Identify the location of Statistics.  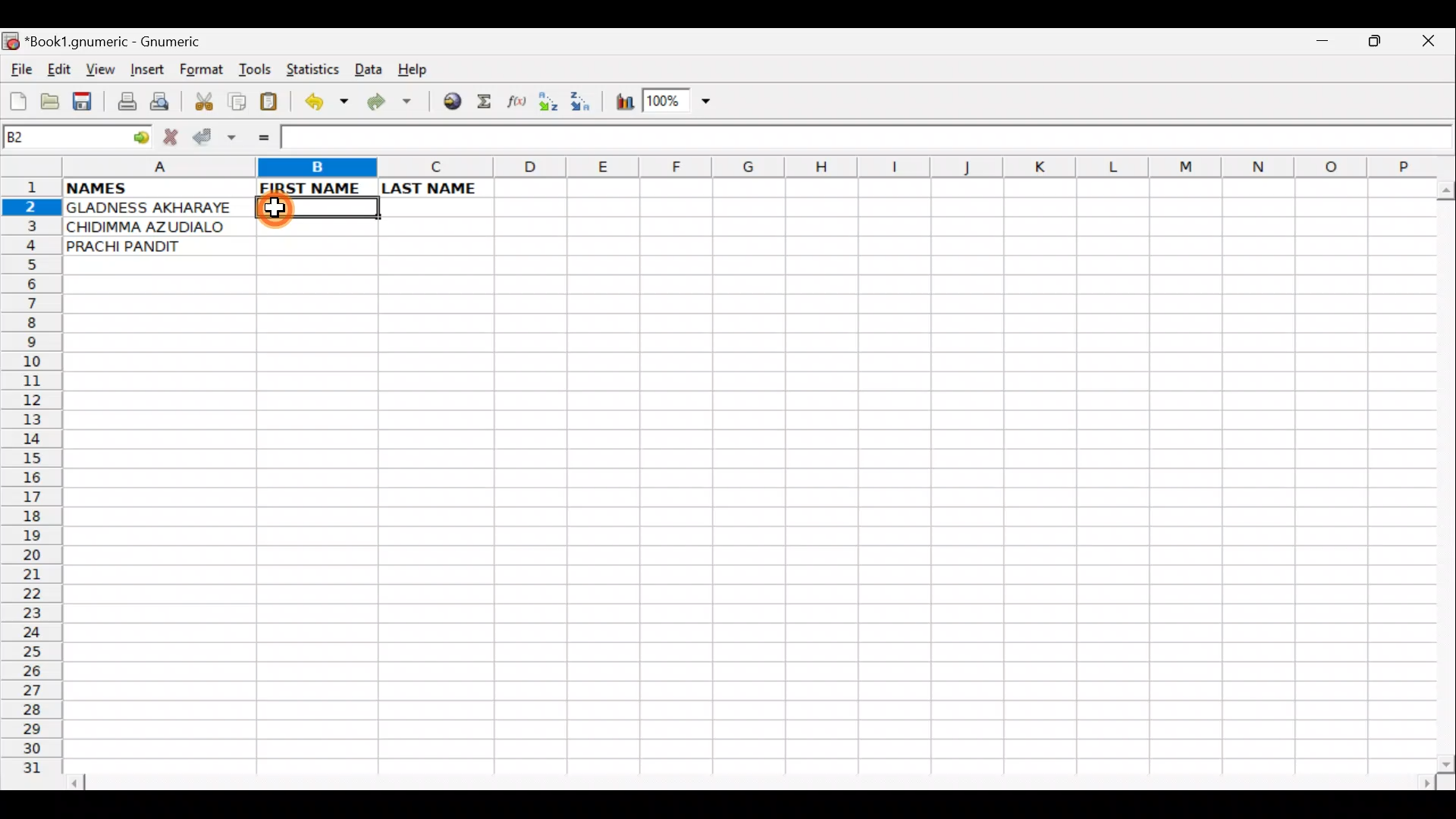
(314, 68).